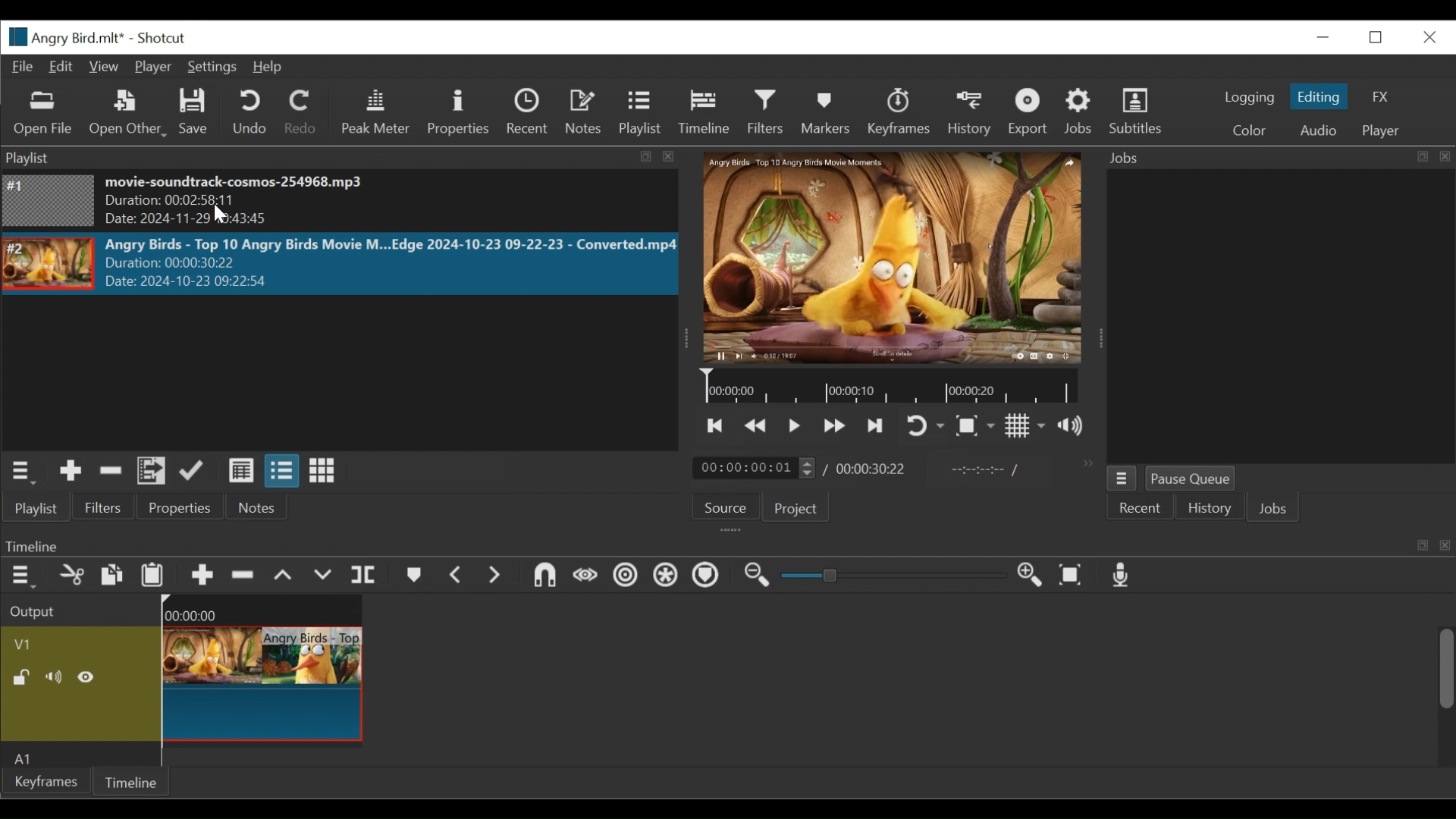 The image size is (1456, 819). What do you see at coordinates (927, 425) in the screenshot?
I see `Toggle on ` at bounding box center [927, 425].